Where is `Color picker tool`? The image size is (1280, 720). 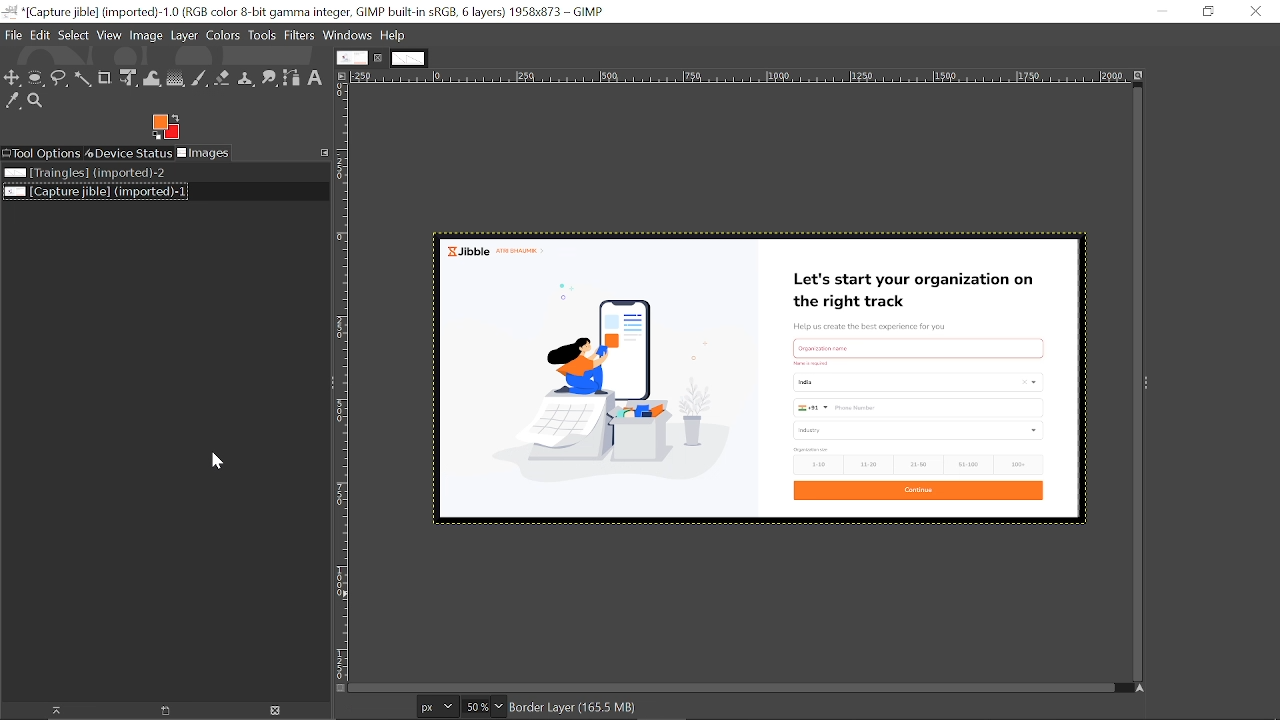 Color picker tool is located at coordinates (13, 102).